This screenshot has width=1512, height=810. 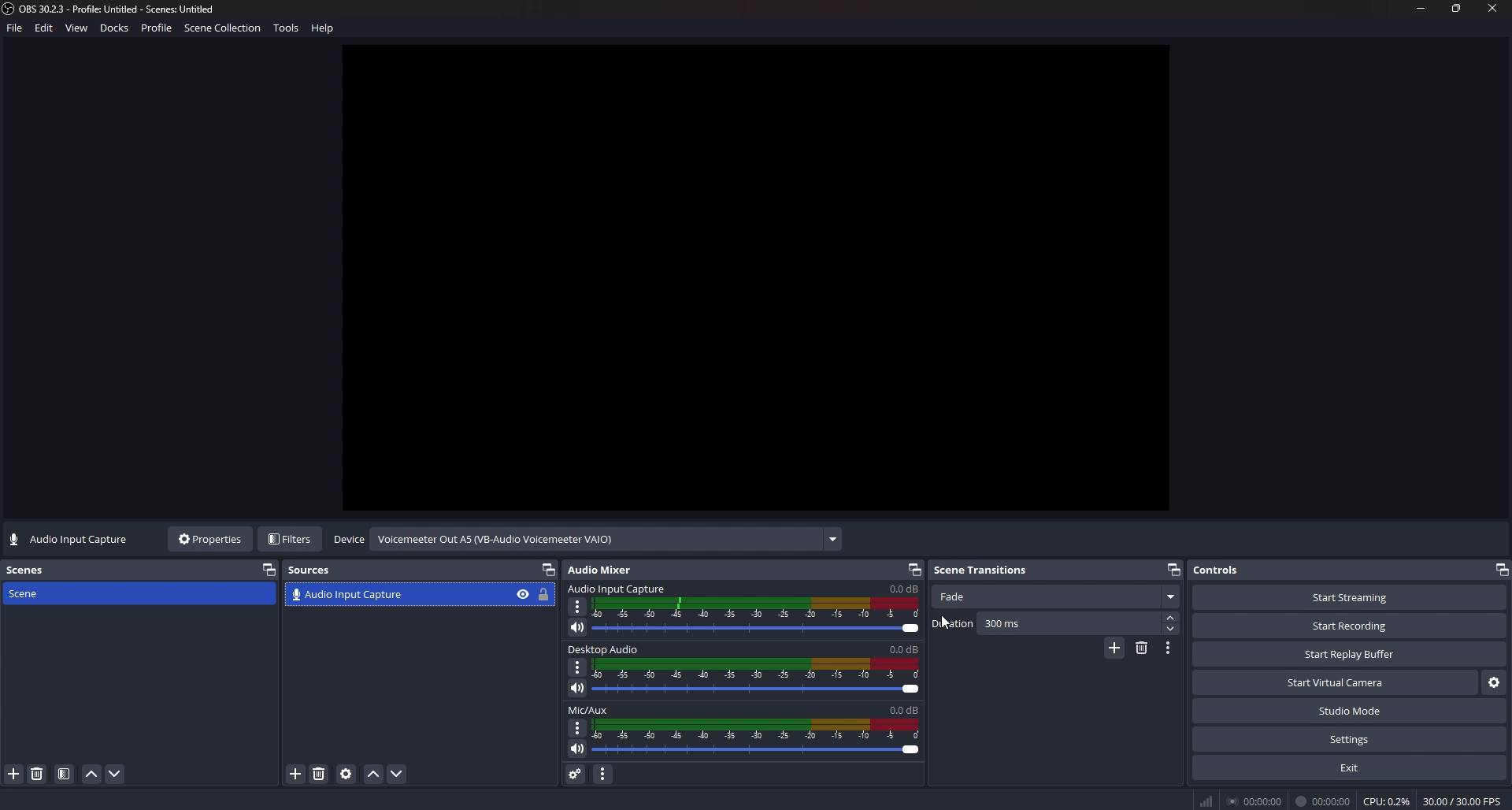 What do you see at coordinates (1351, 655) in the screenshot?
I see `start replay buffer` at bounding box center [1351, 655].